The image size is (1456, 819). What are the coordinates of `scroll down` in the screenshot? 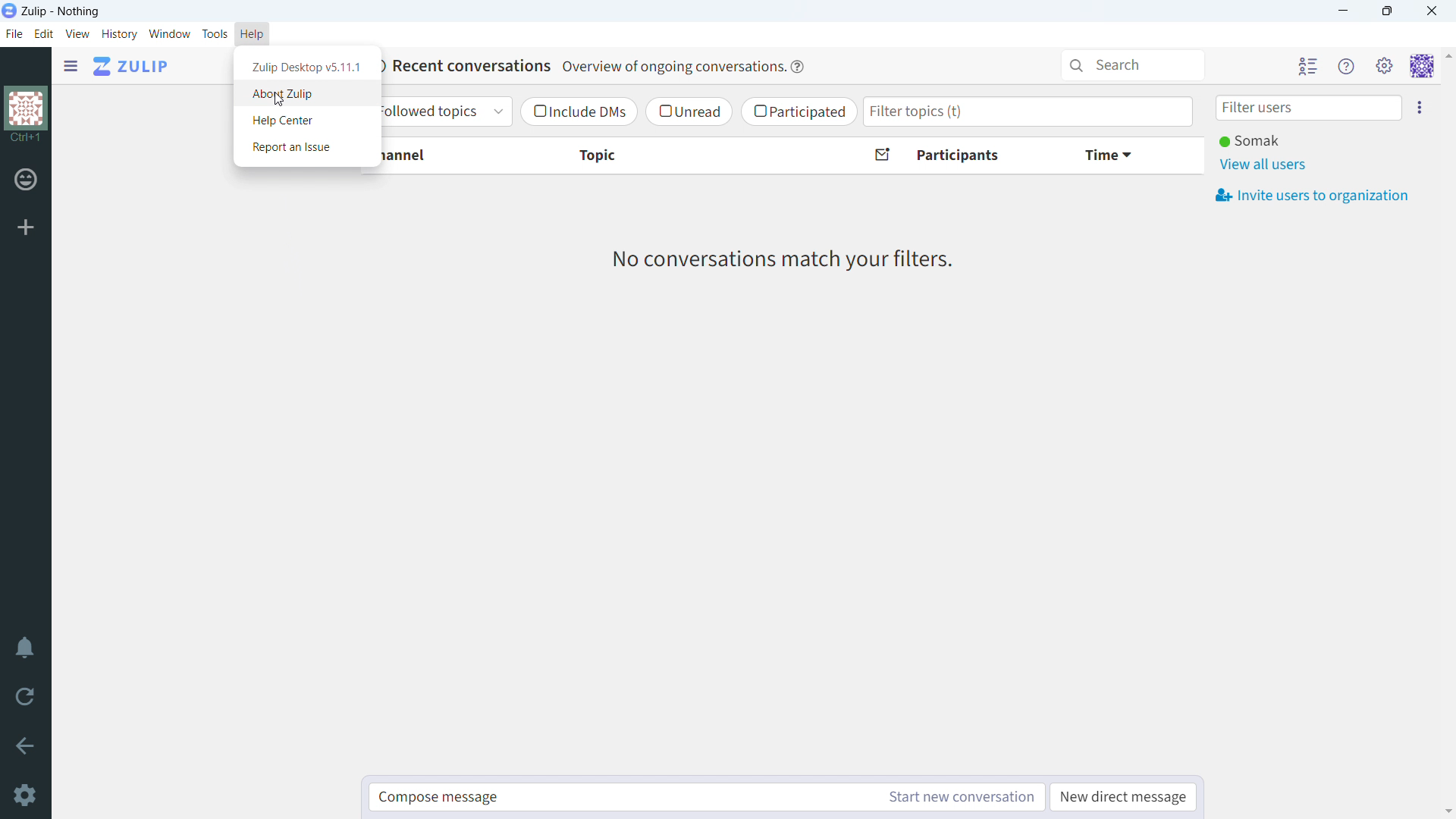 It's located at (1447, 811).